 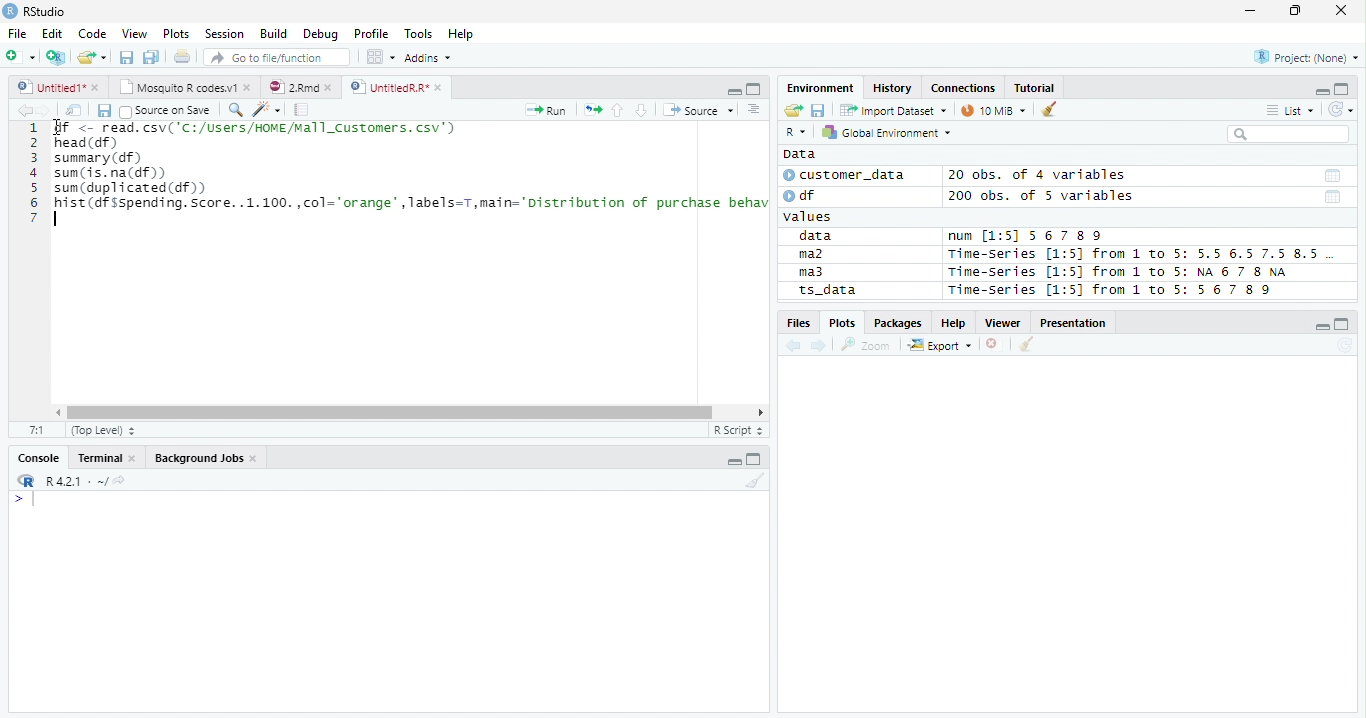 I want to click on Code Tools, so click(x=266, y=110).